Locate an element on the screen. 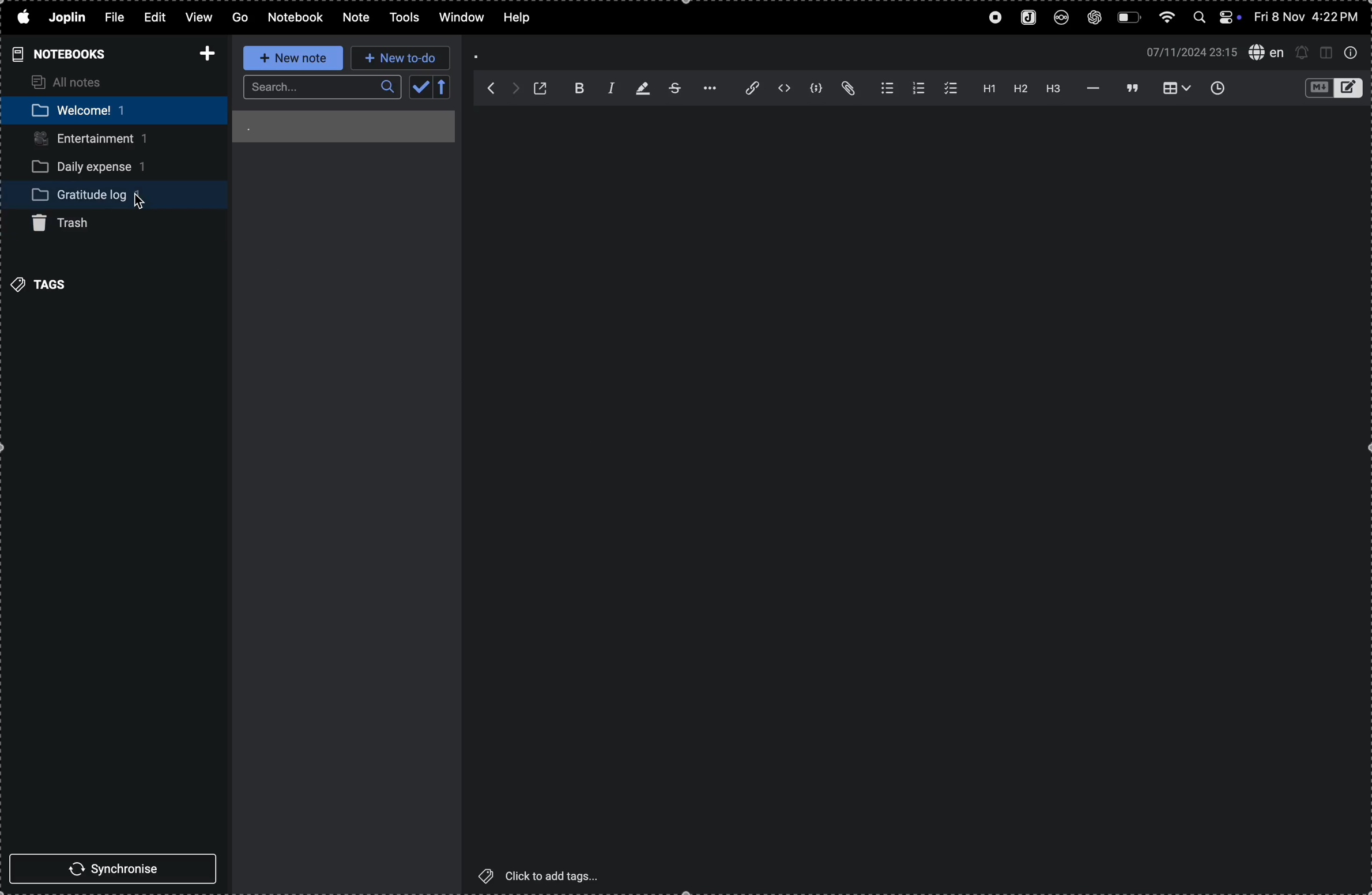 The height and width of the screenshot is (895, 1372). tools is located at coordinates (408, 17).